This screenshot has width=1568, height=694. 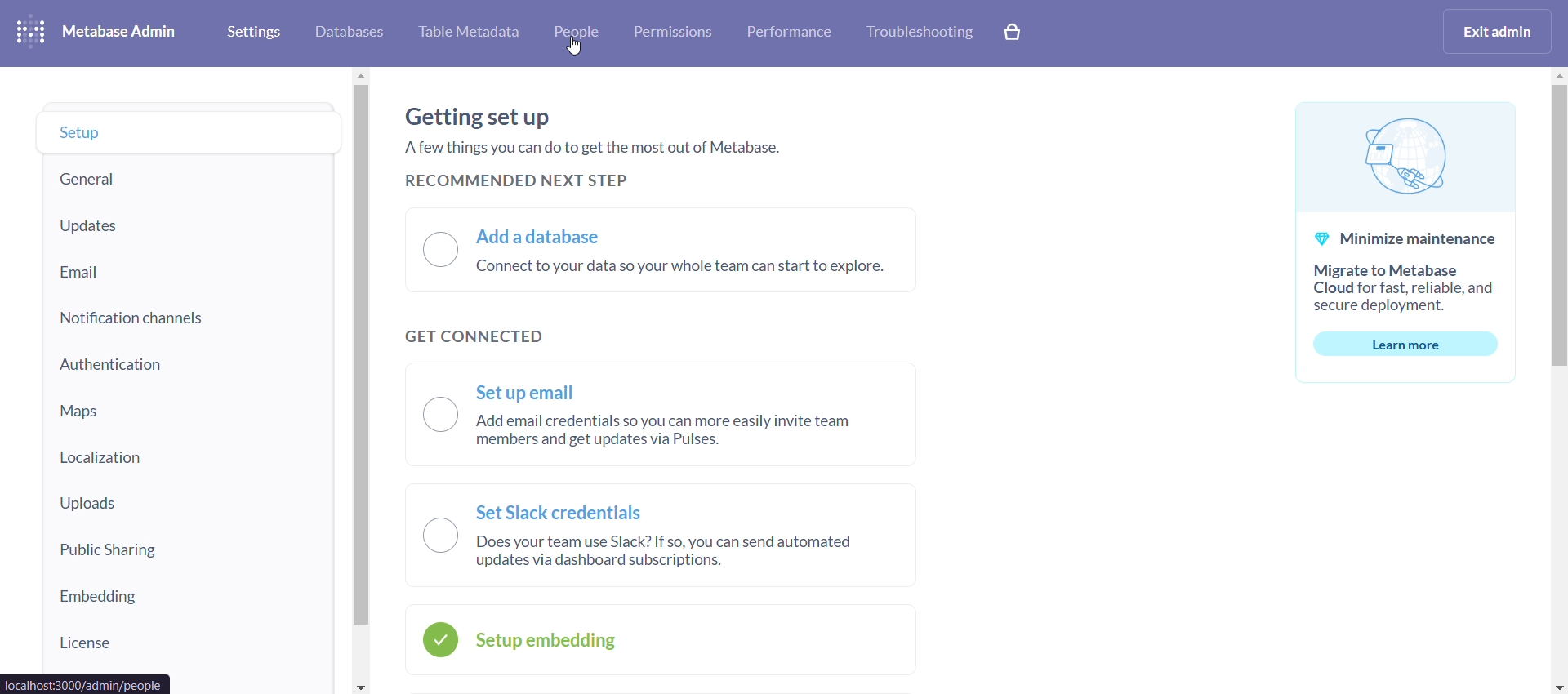 What do you see at coordinates (574, 35) in the screenshot?
I see `people` at bounding box center [574, 35].